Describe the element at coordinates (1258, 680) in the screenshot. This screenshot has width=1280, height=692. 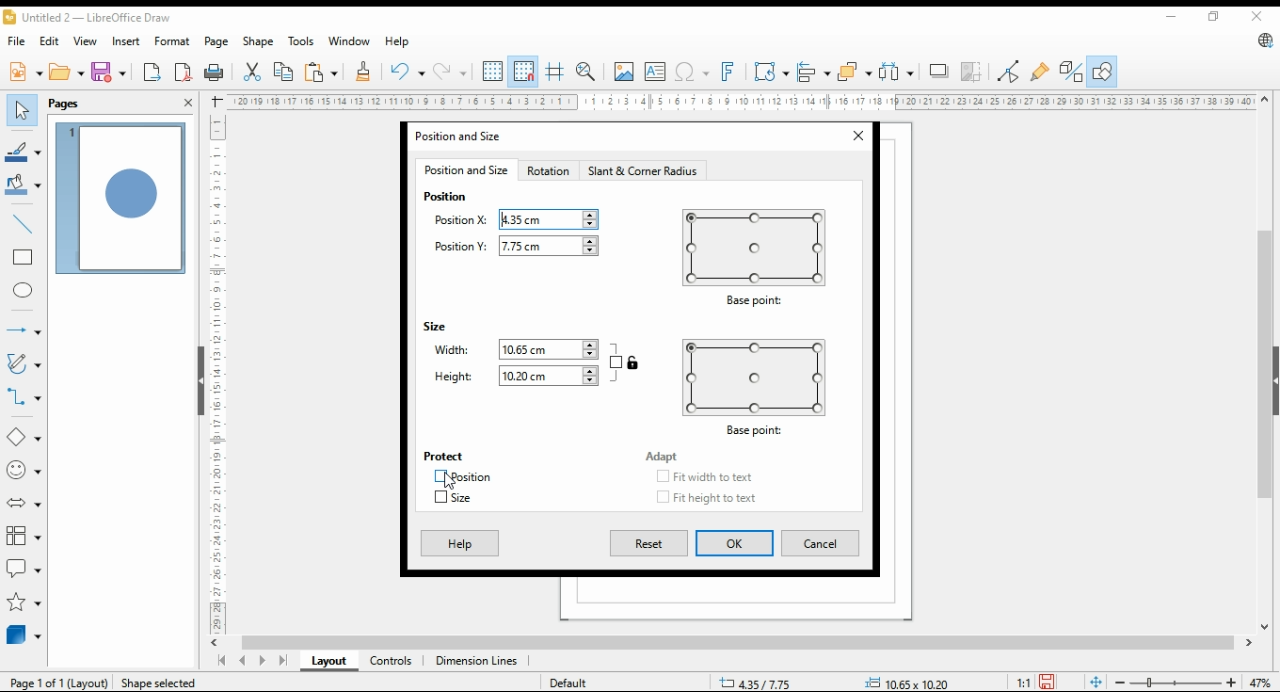
I see `zoom factor` at that location.